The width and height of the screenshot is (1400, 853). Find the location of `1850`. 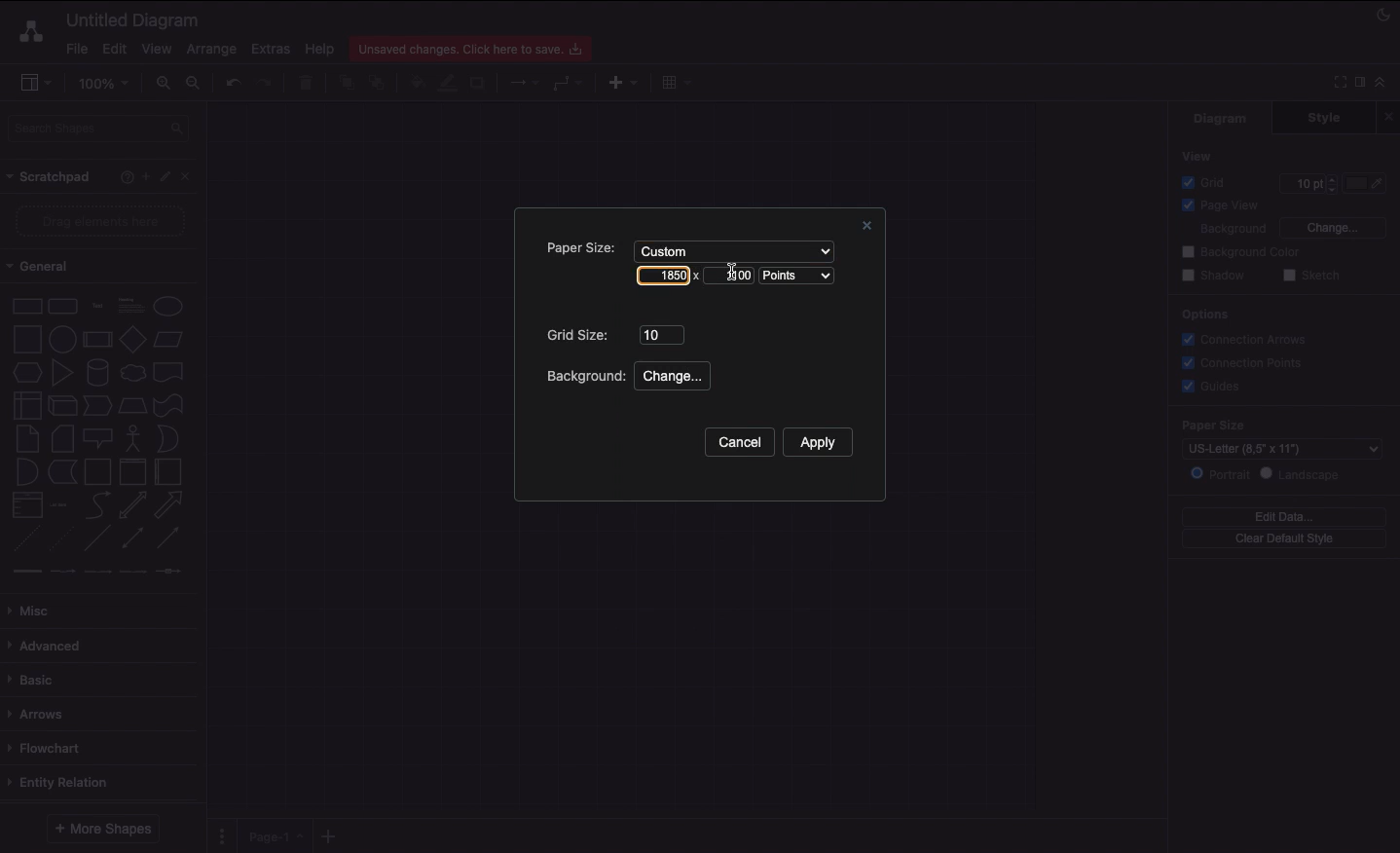

1850 is located at coordinates (665, 275).